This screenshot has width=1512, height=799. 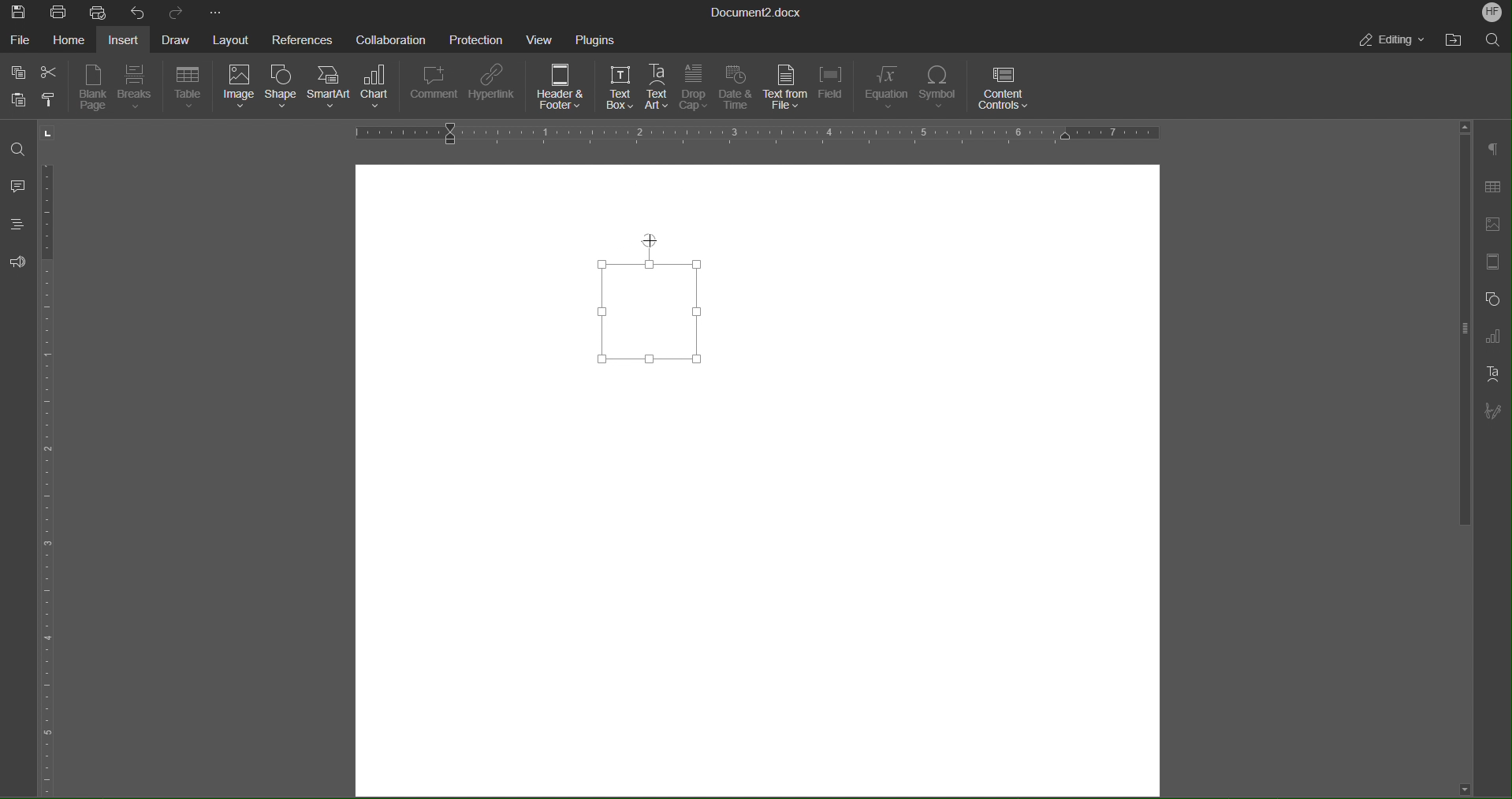 What do you see at coordinates (755, 134) in the screenshot?
I see `Horizontal Ruler` at bounding box center [755, 134].